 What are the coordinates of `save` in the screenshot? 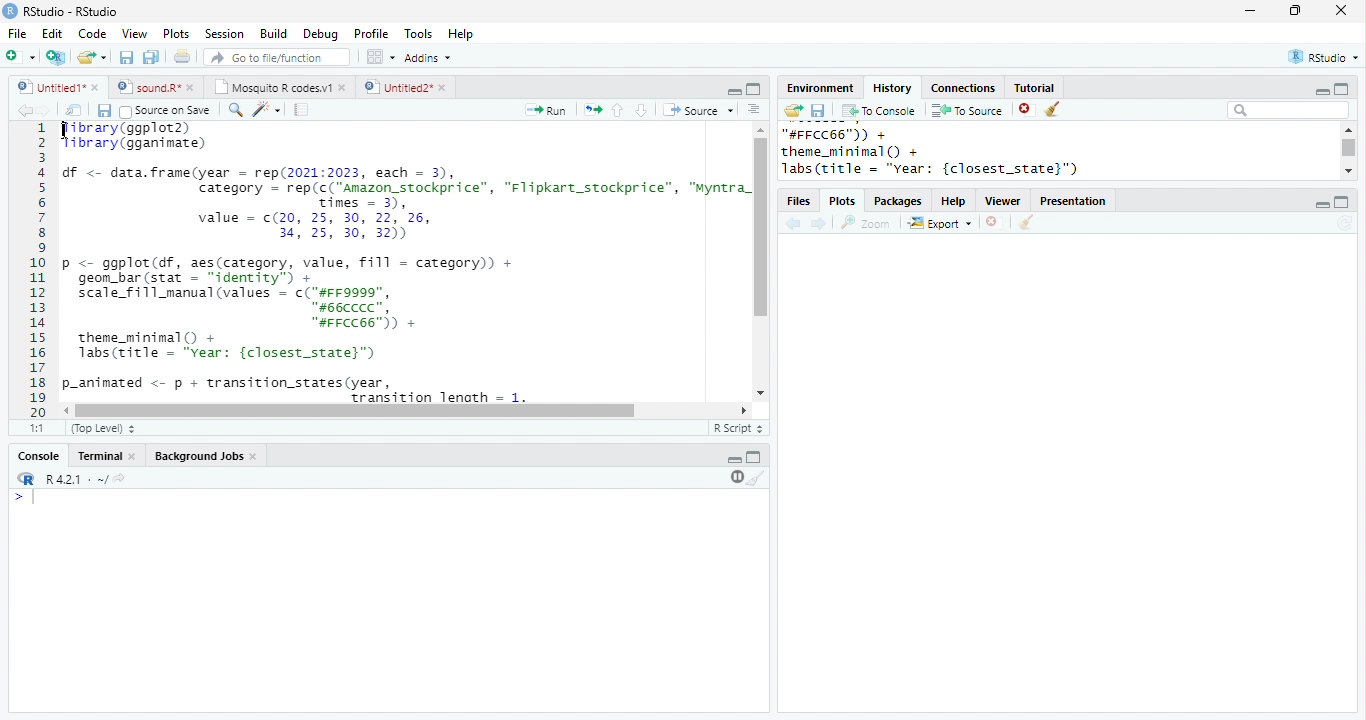 It's located at (126, 57).